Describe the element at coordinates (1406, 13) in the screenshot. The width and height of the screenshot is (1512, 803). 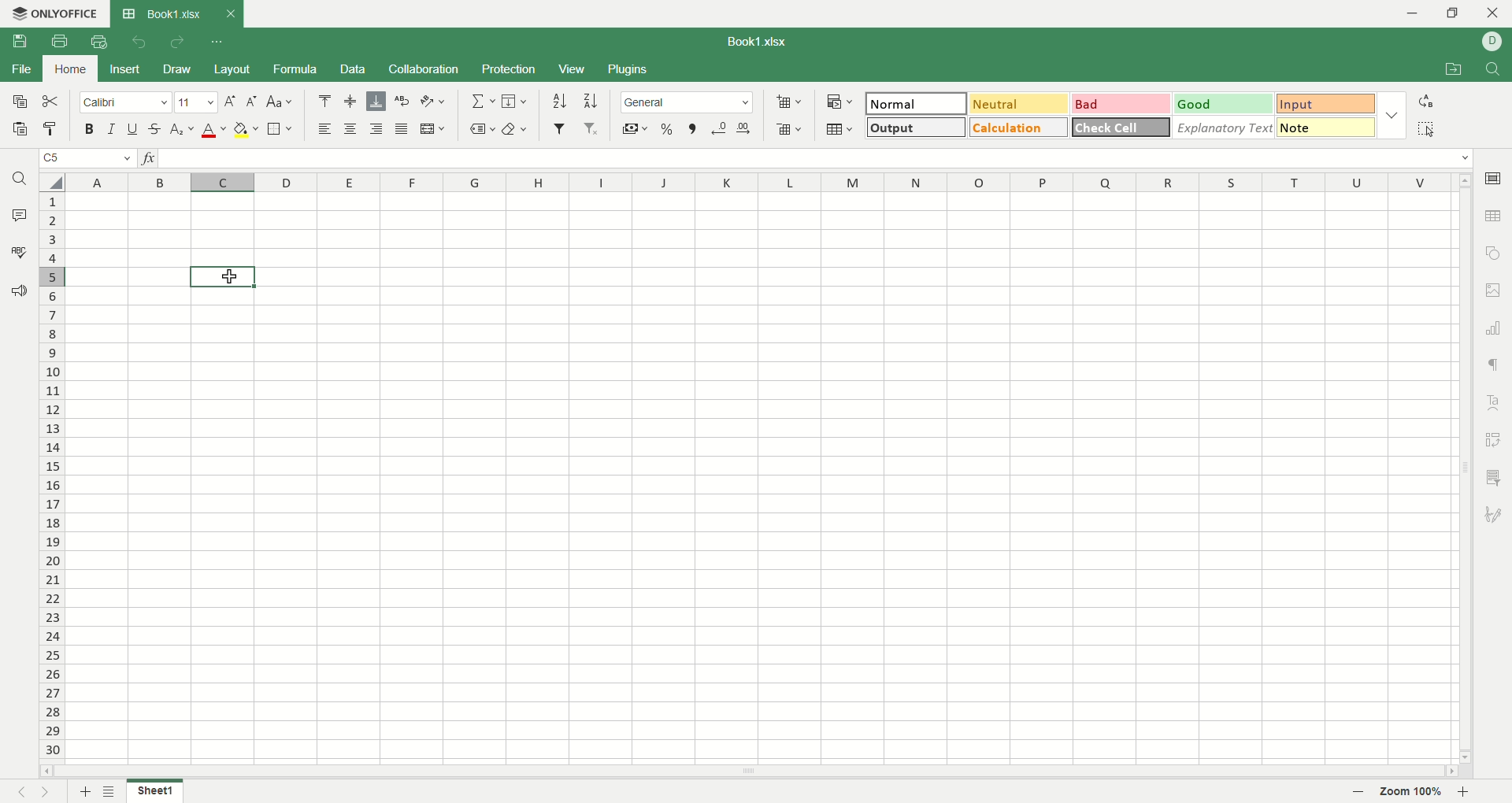
I see `minimize` at that location.